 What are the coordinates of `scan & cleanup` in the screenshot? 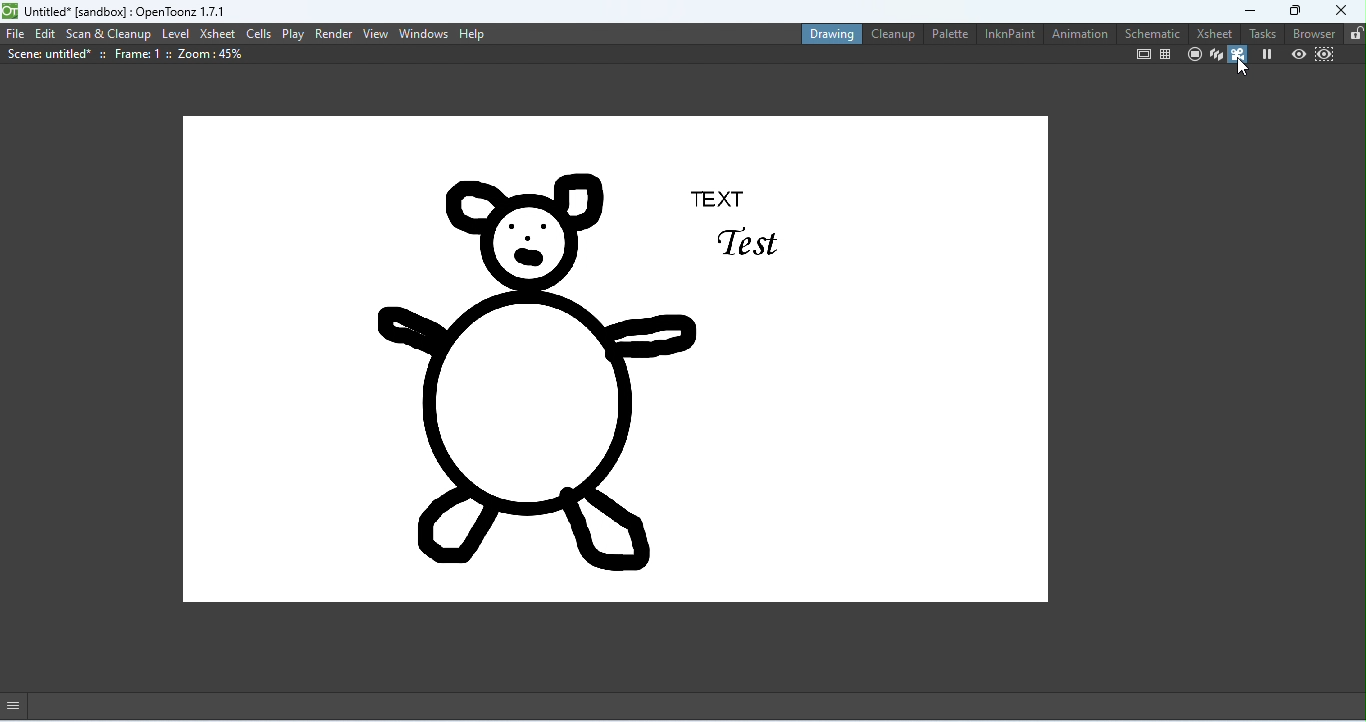 It's located at (110, 34).